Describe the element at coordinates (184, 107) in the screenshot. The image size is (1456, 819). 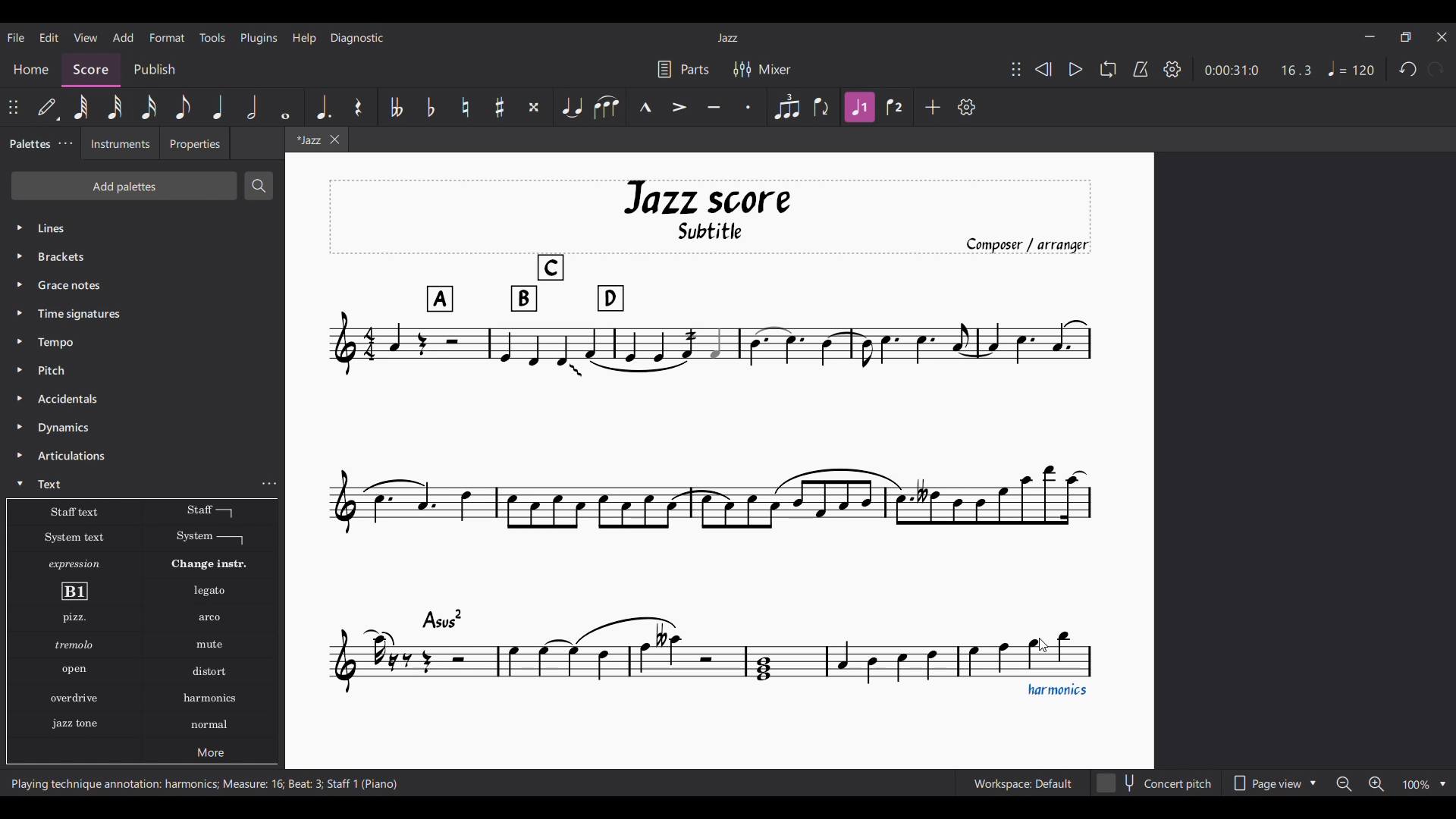
I see `8th note` at that location.